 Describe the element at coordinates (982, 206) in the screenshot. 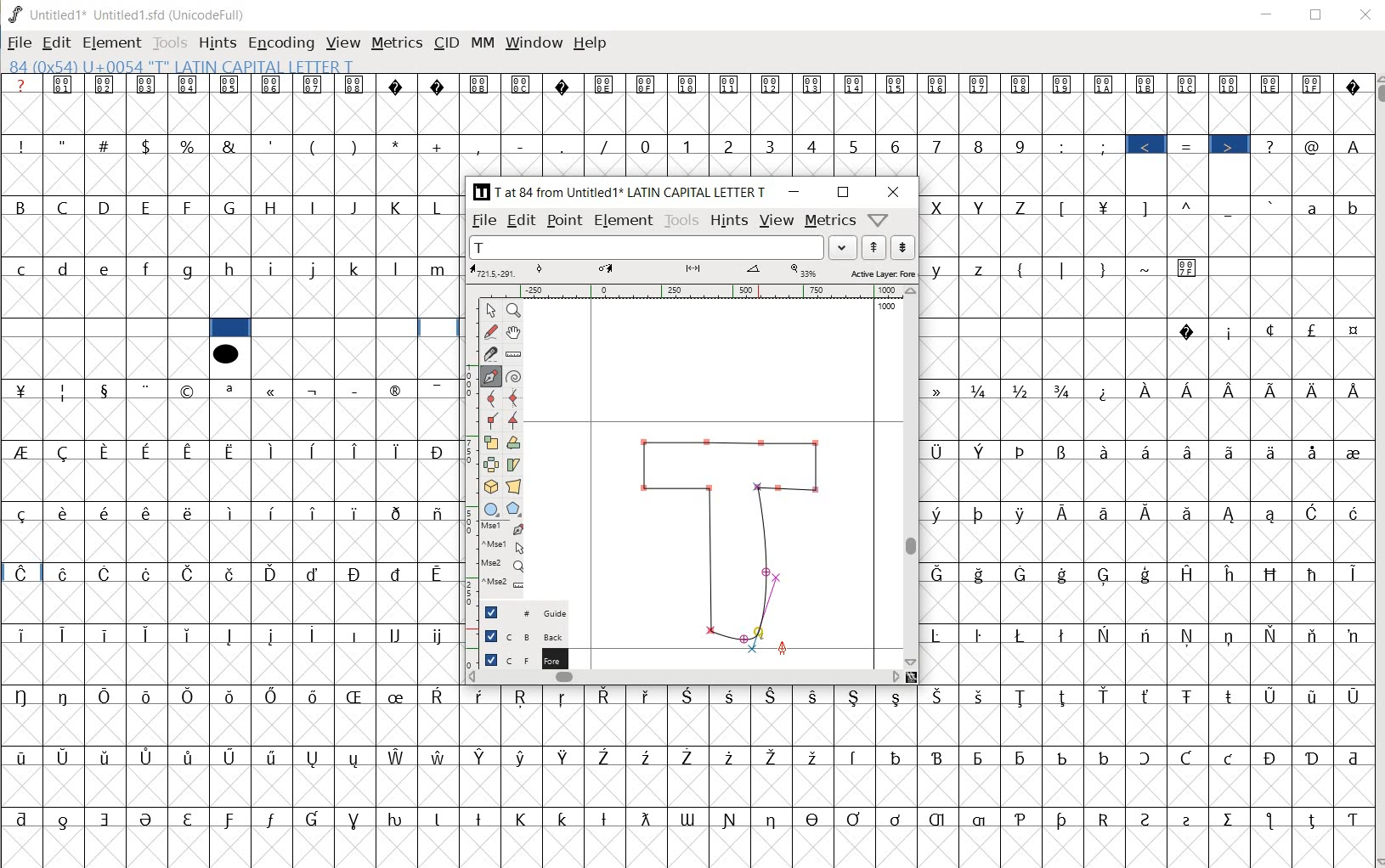

I see `Y` at that location.